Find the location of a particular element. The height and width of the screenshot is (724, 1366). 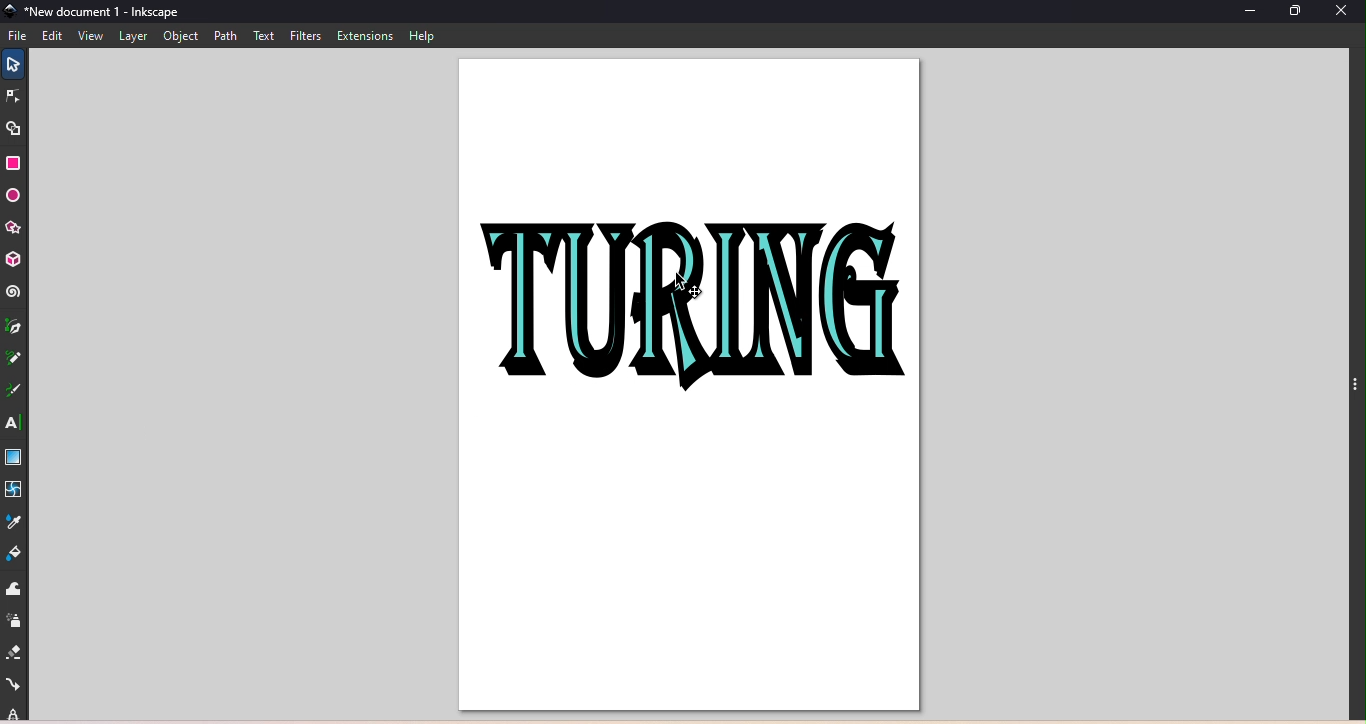

File is located at coordinates (19, 35).